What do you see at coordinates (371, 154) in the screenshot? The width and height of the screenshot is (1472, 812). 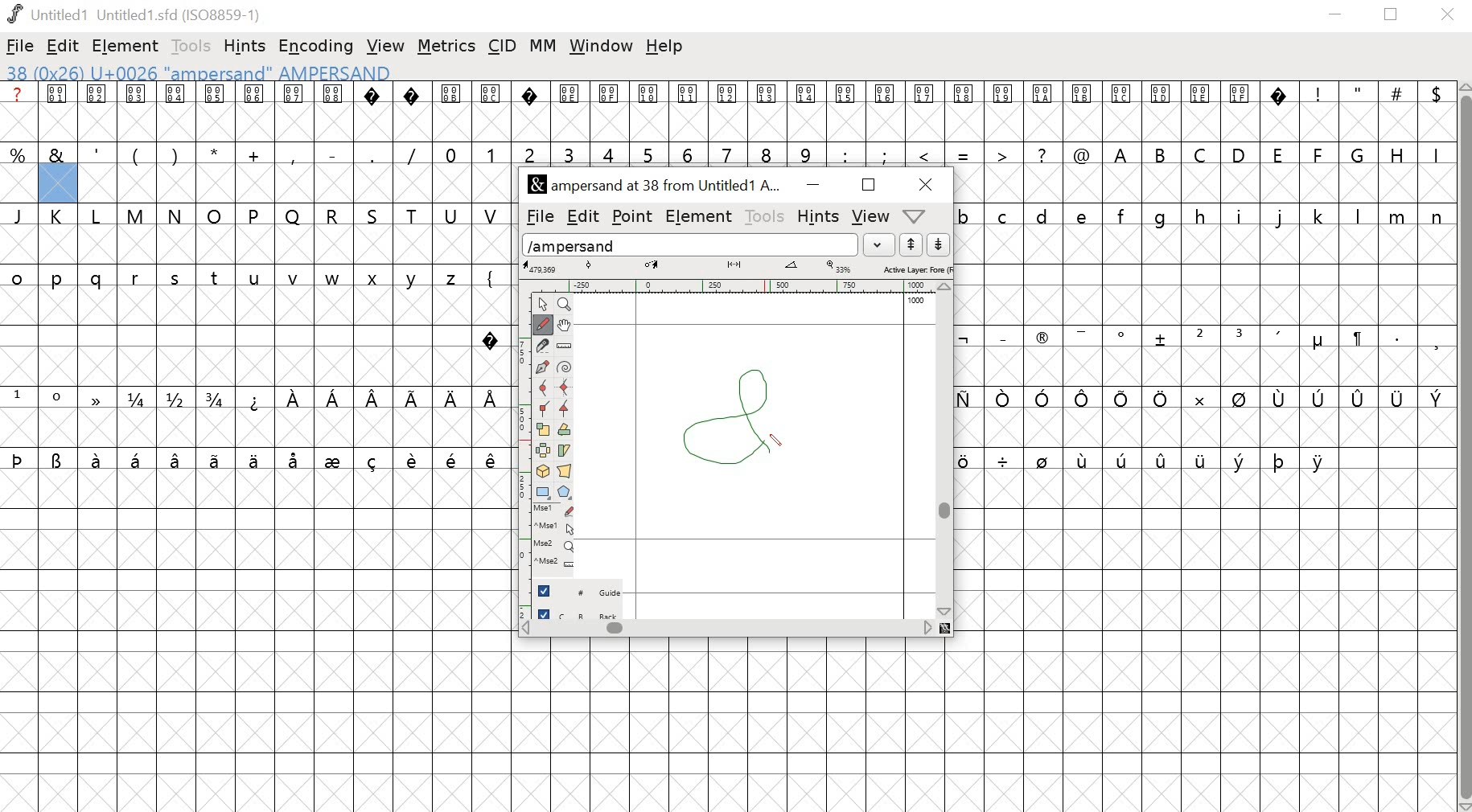 I see `.` at bounding box center [371, 154].